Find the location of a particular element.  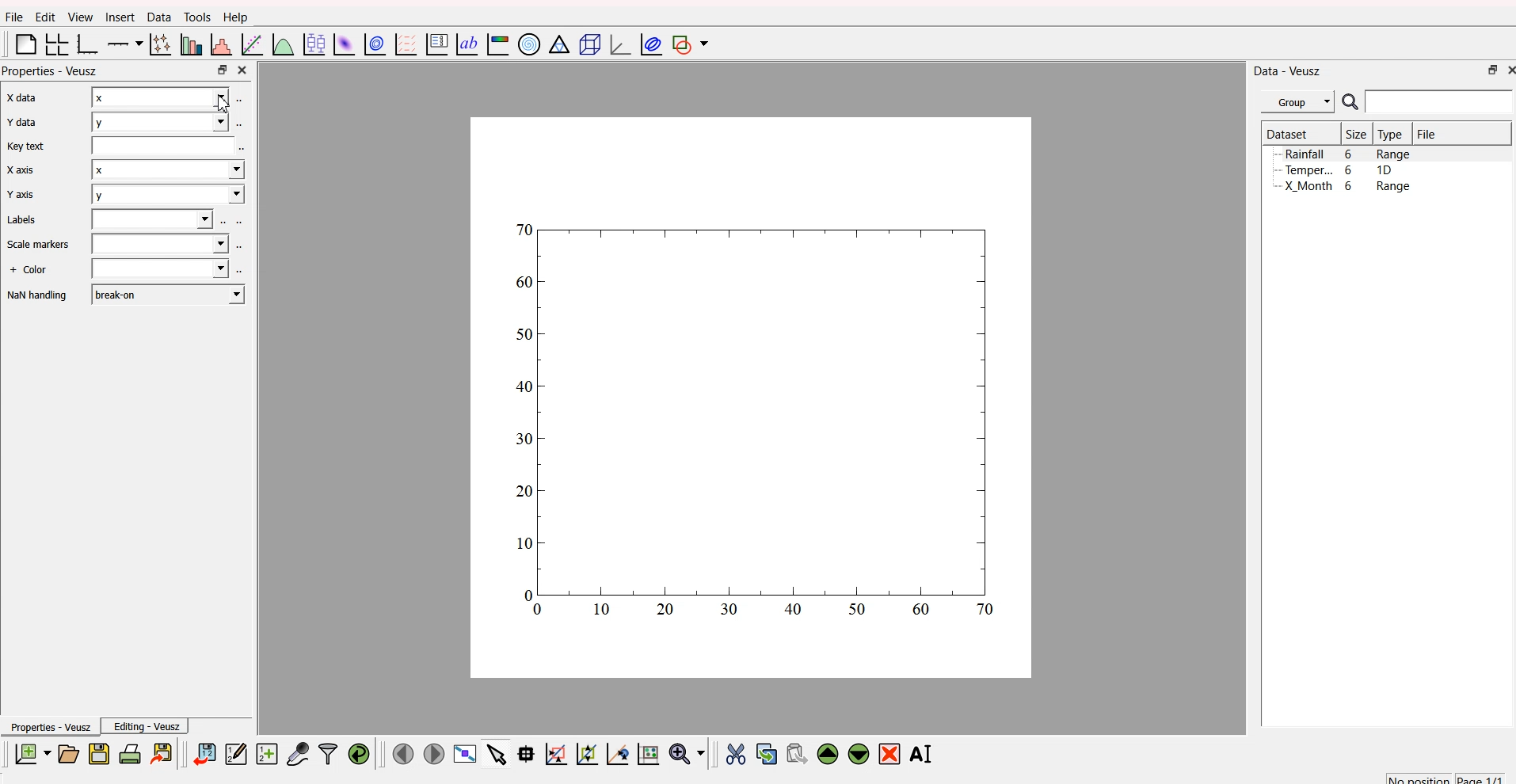

search bar is located at coordinates (1442, 104).